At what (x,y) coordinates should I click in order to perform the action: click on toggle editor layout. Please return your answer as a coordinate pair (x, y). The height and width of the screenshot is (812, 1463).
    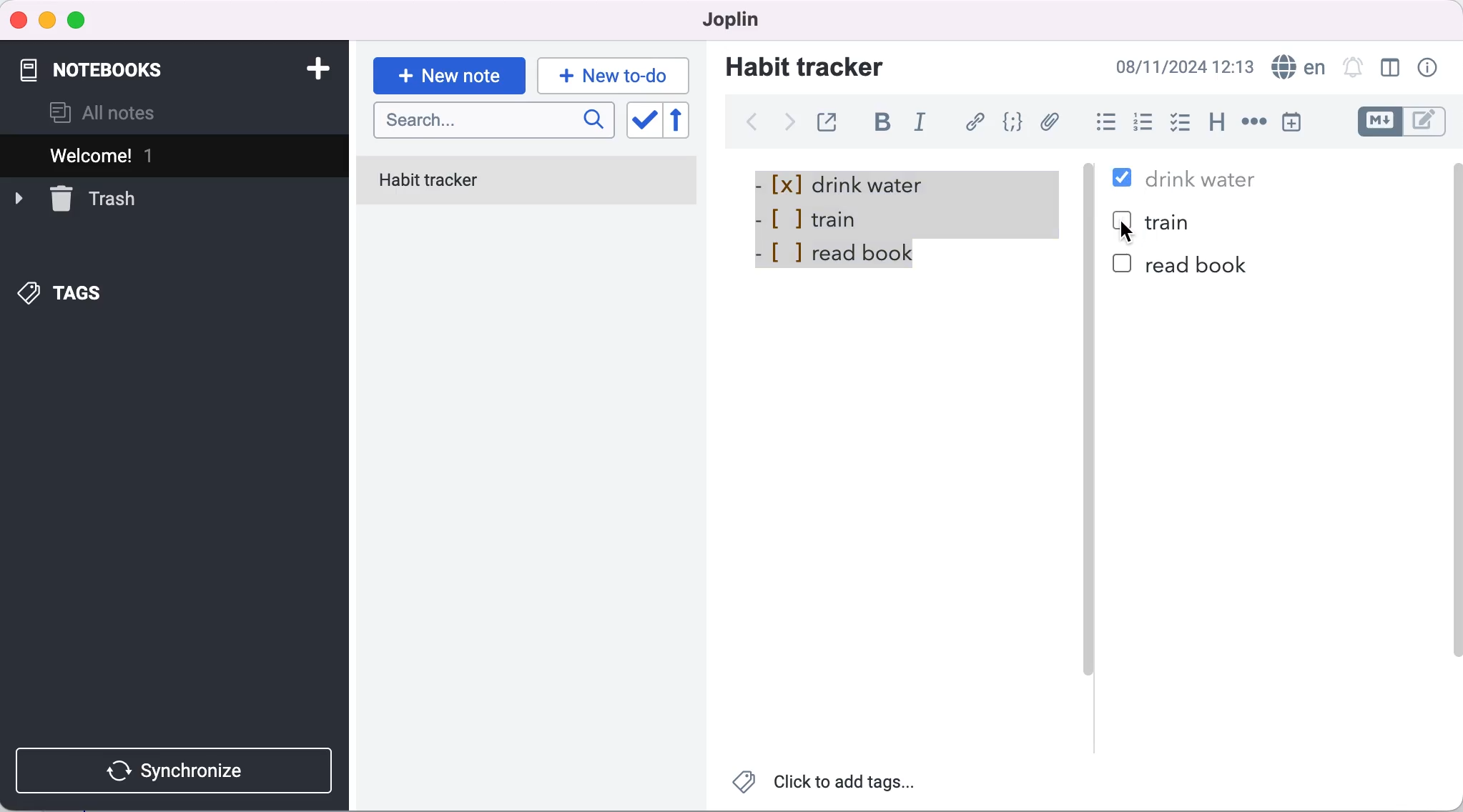
    Looking at the image, I should click on (1391, 68).